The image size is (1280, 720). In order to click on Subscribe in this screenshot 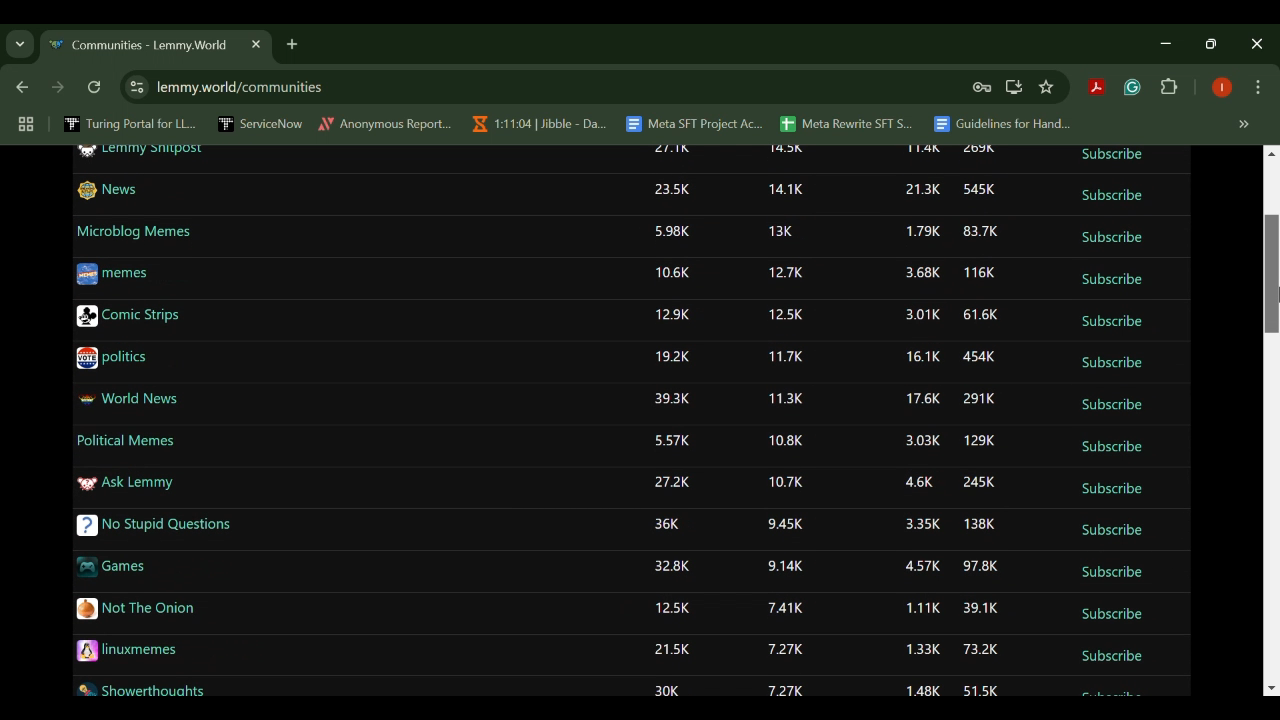, I will do `click(1110, 156)`.